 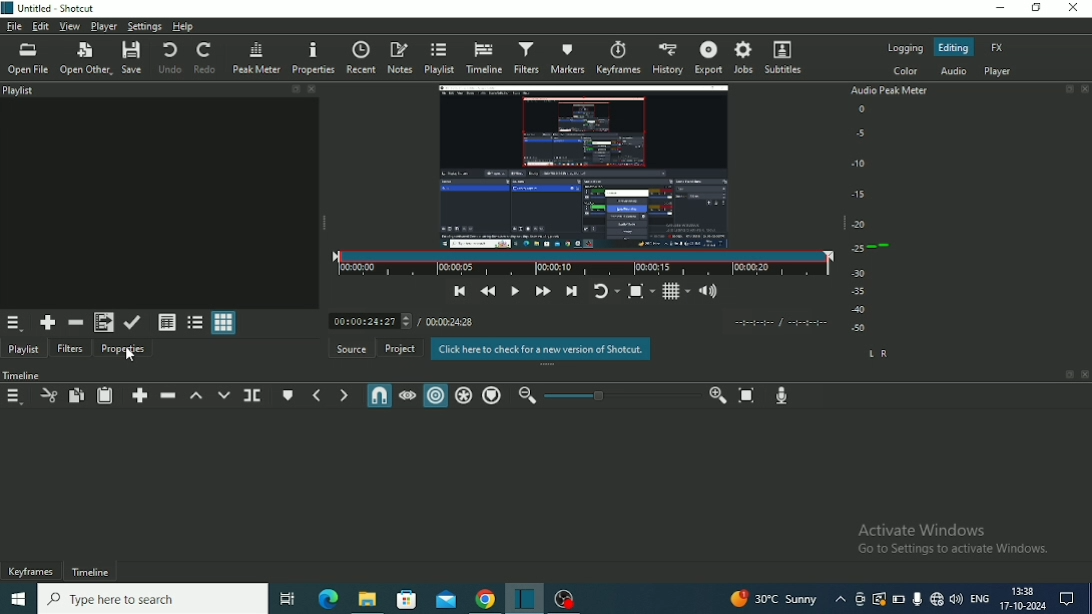 What do you see at coordinates (492, 396) in the screenshot?
I see `Ripple Markers` at bounding box center [492, 396].